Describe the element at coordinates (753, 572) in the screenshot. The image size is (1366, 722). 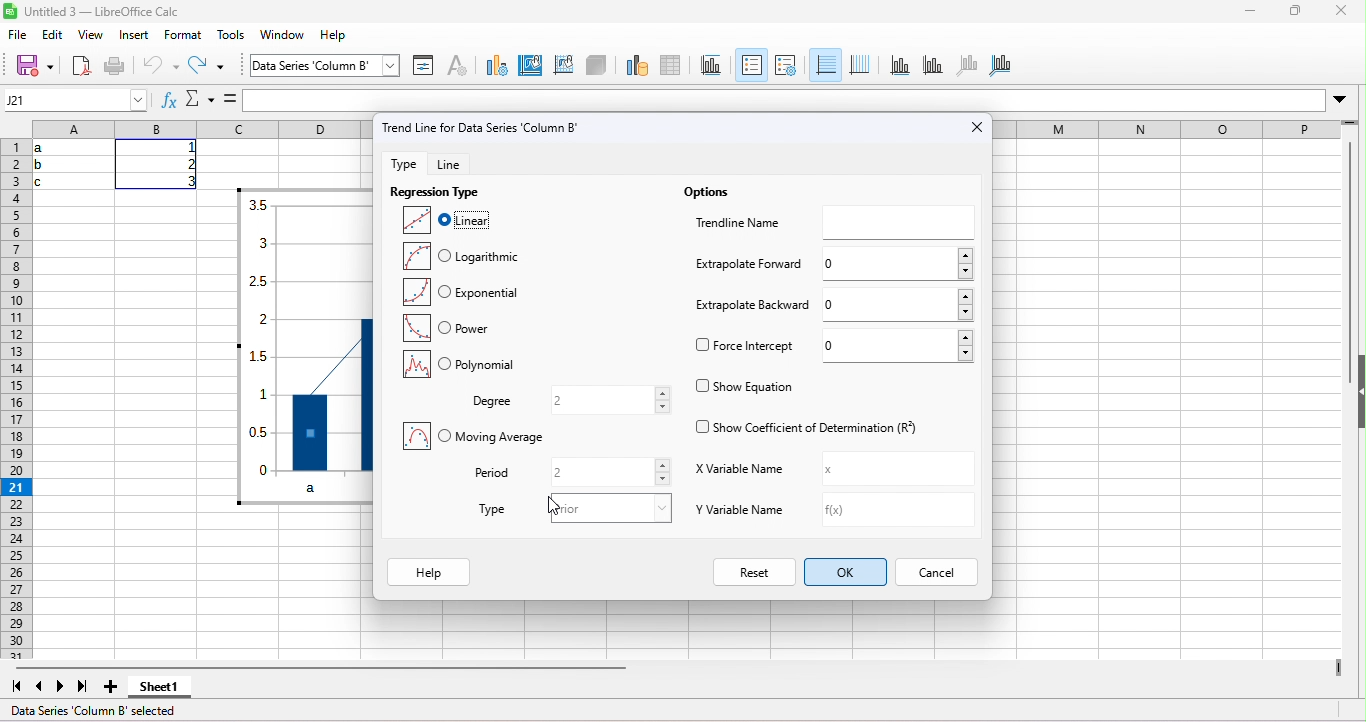
I see `reset` at that location.